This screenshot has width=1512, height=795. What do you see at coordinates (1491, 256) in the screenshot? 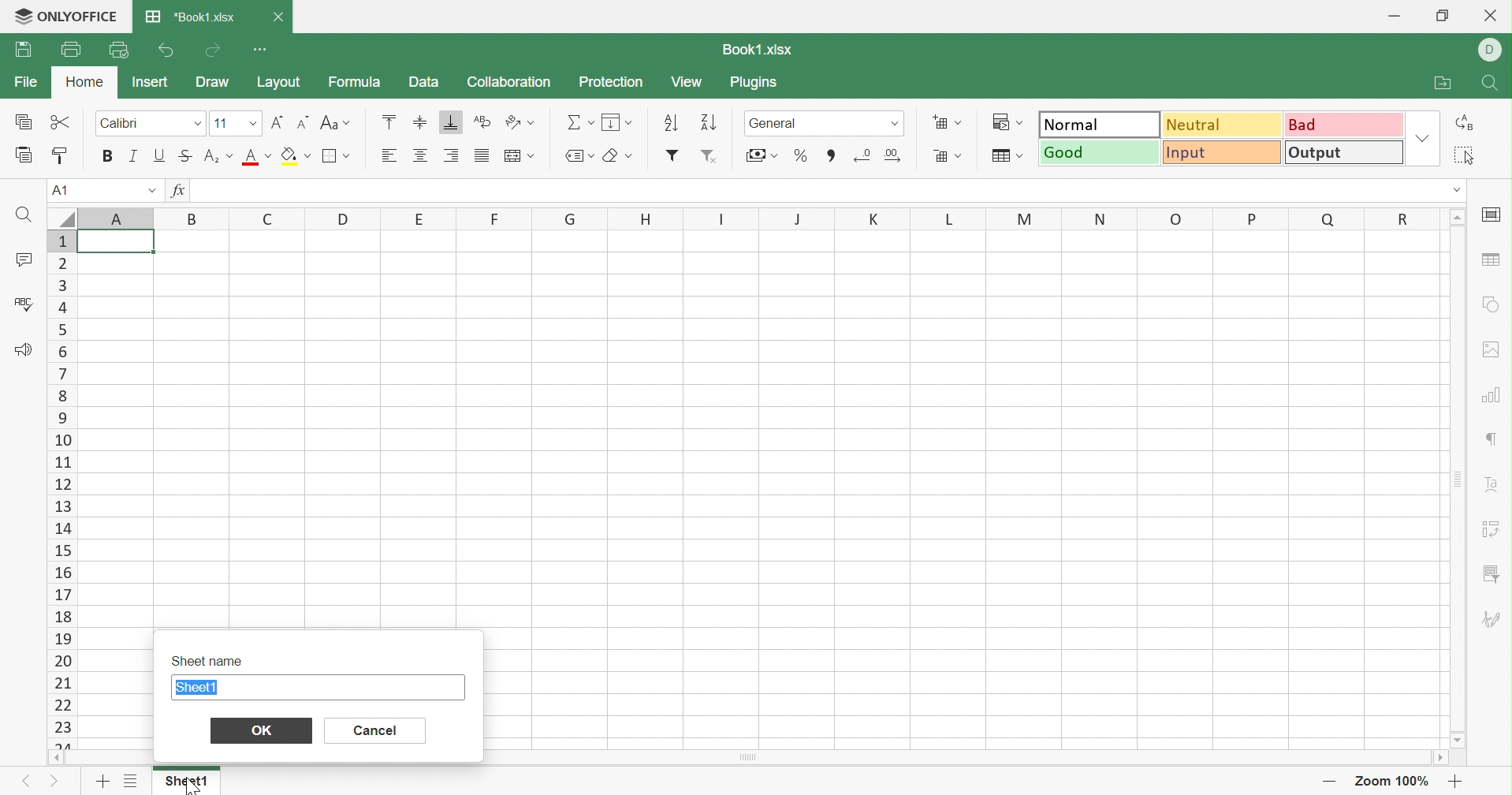
I see `Table settings` at bounding box center [1491, 256].